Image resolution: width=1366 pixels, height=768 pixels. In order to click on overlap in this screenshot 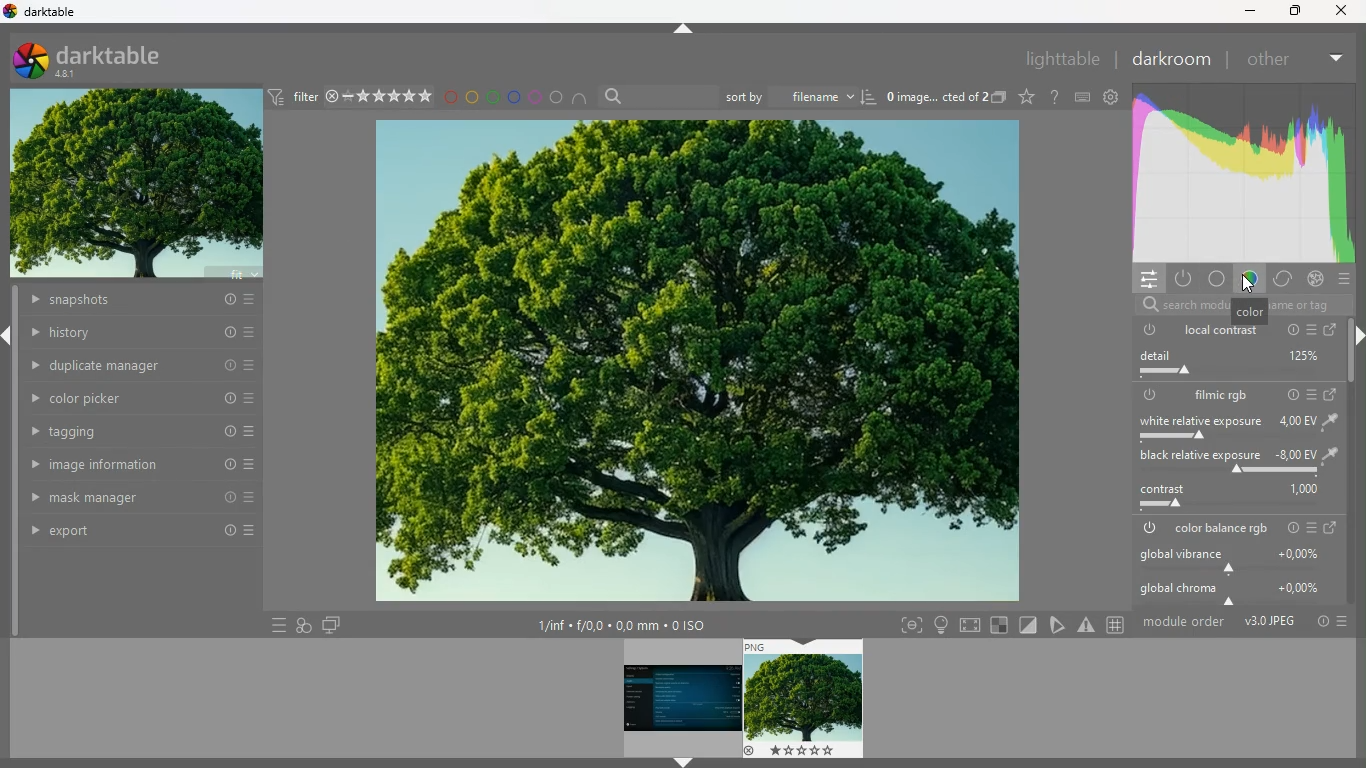, I will do `click(304, 623)`.